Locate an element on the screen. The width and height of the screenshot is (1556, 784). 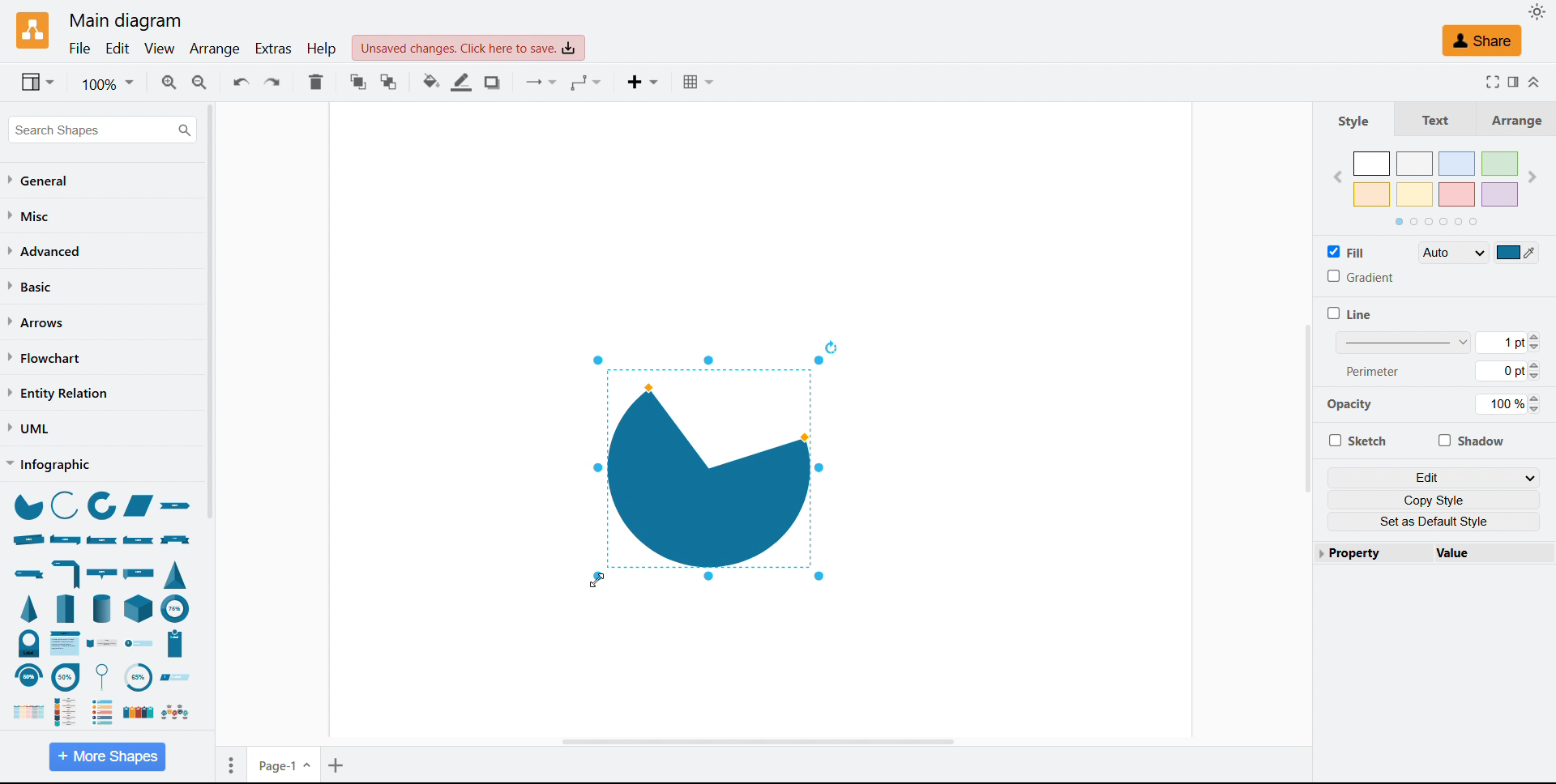
triangle is located at coordinates (176, 573).